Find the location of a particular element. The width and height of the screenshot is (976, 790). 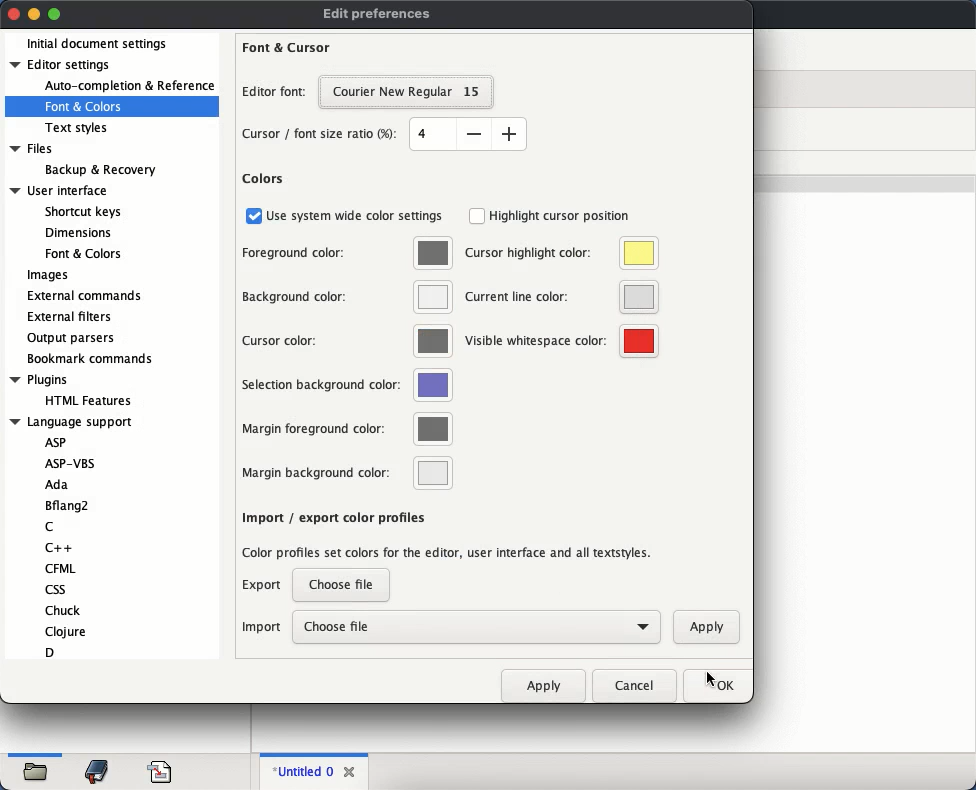

images is located at coordinates (48, 276).